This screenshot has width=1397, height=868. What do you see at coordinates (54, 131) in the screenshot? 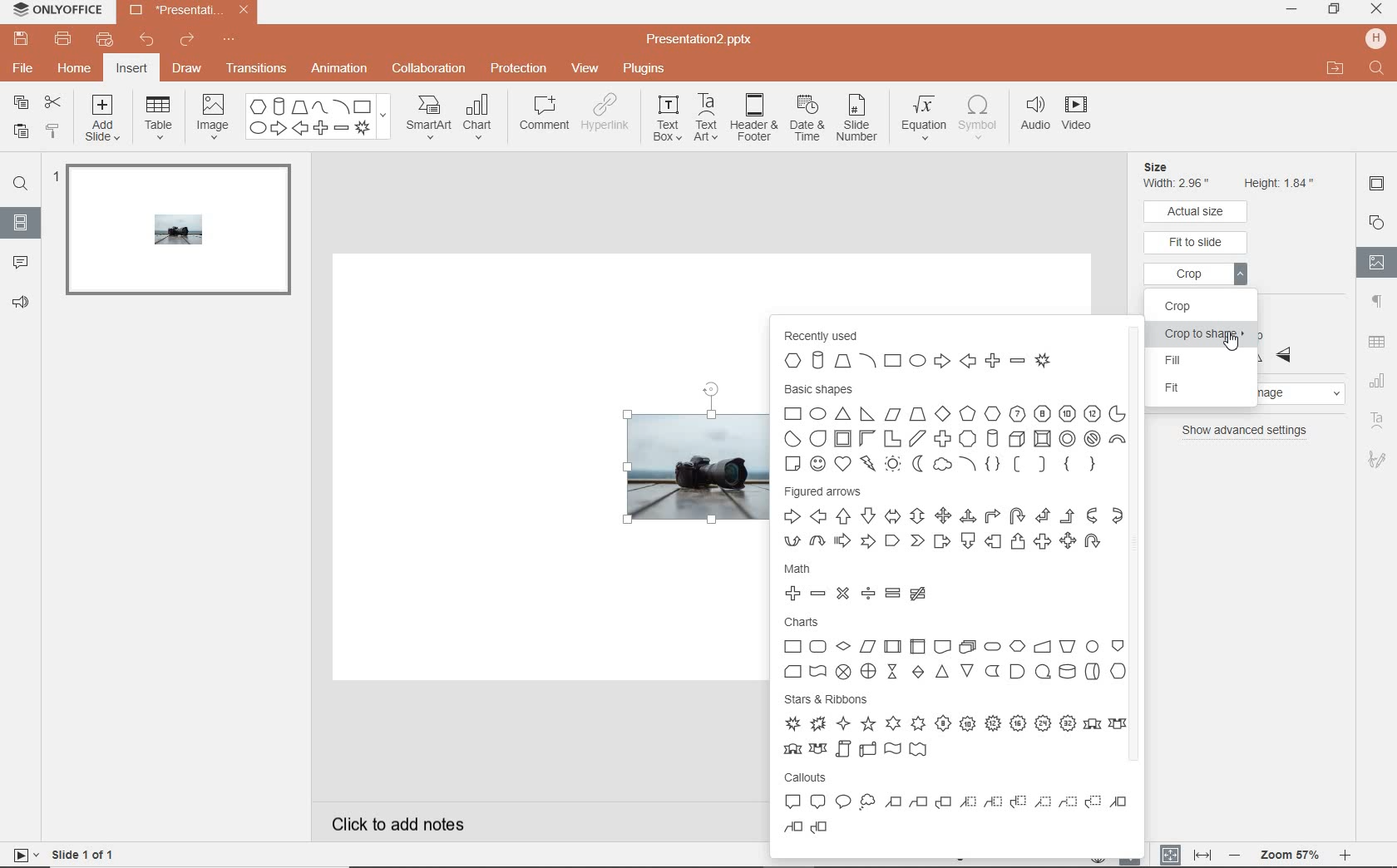
I see `copy style` at bounding box center [54, 131].